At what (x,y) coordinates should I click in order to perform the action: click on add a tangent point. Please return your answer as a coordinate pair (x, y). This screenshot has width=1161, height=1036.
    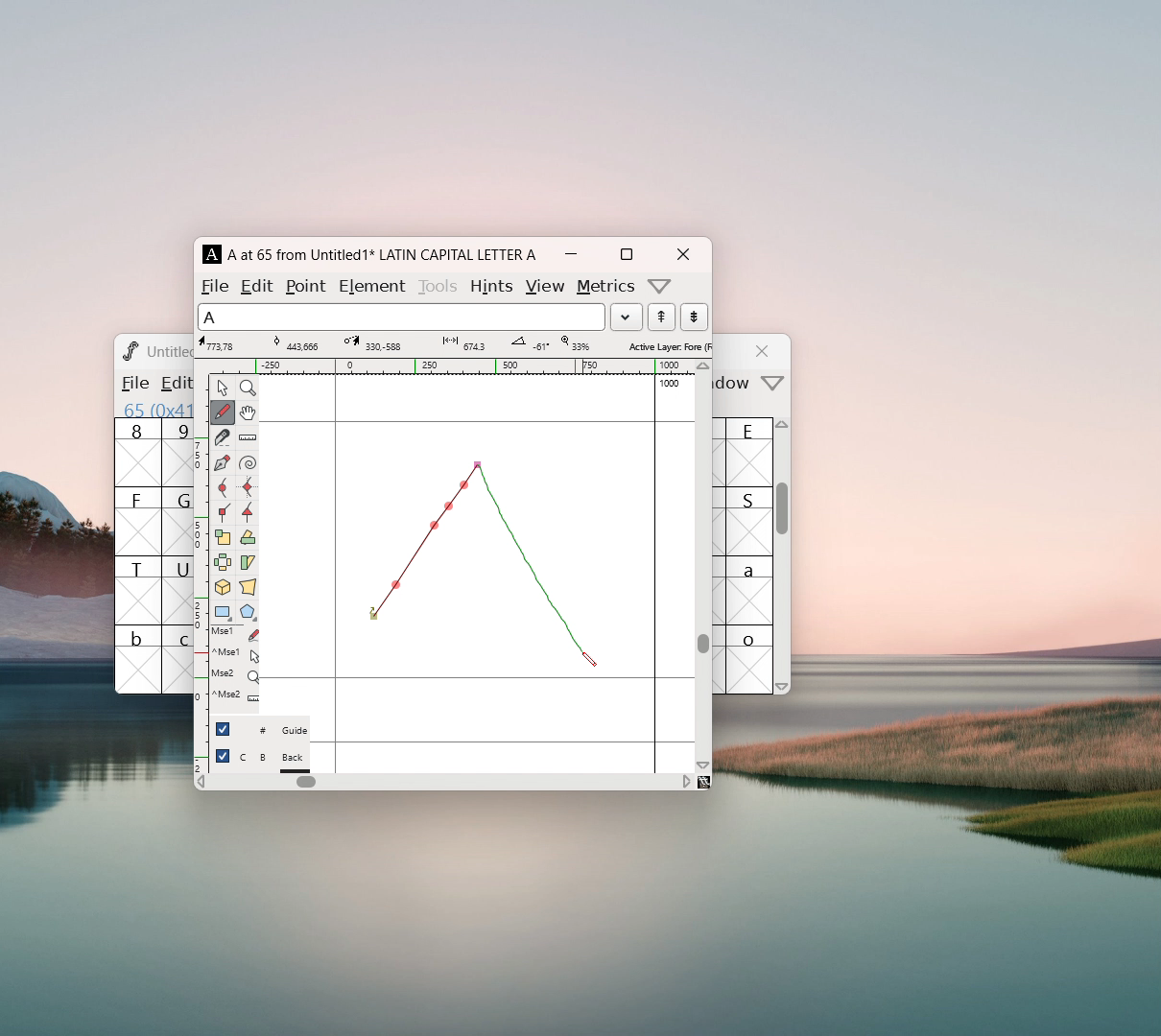
    Looking at the image, I should click on (247, 512).